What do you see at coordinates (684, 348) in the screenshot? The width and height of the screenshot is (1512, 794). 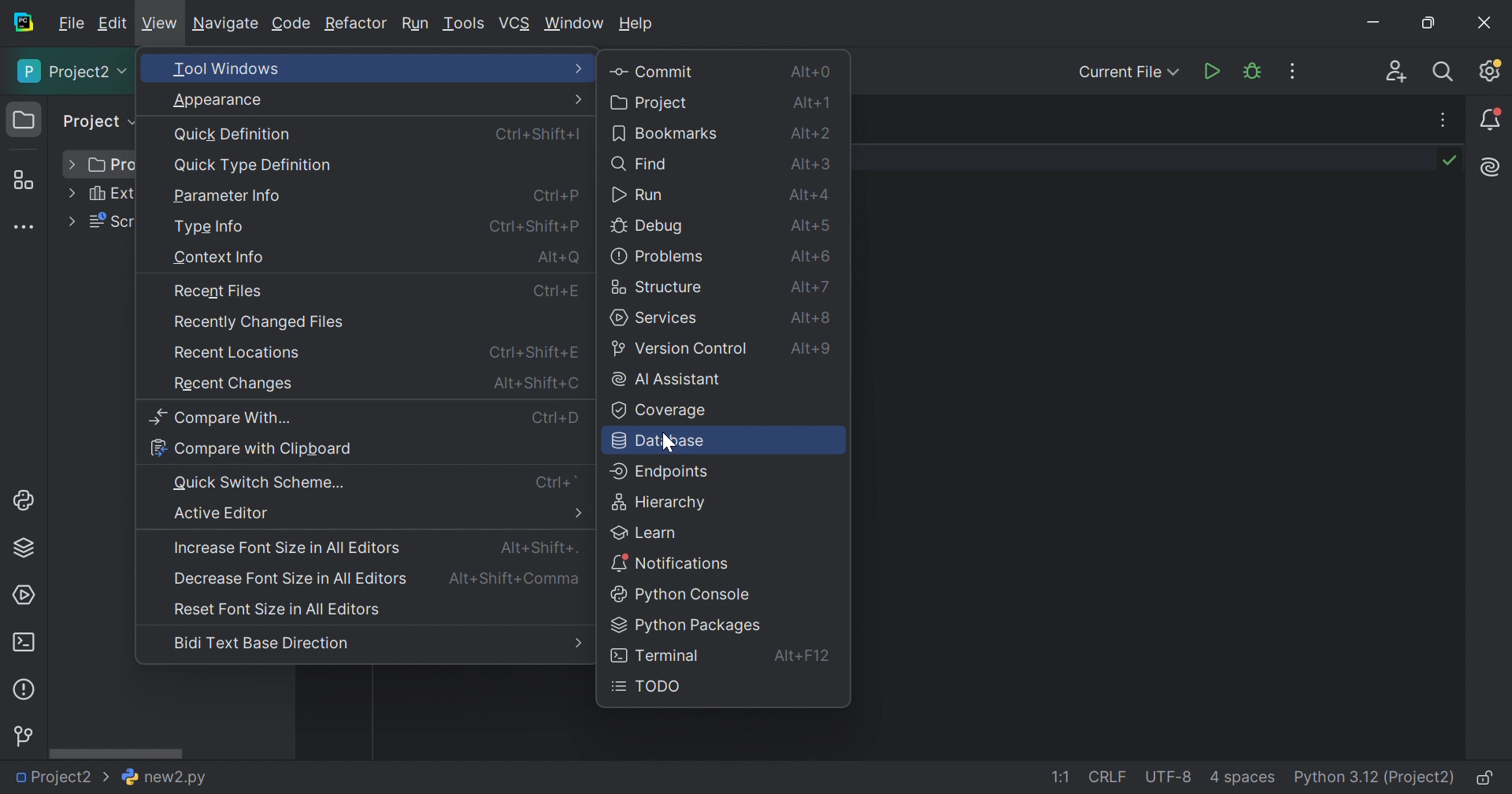 I see `Version control` at bounding box center [684, 348].